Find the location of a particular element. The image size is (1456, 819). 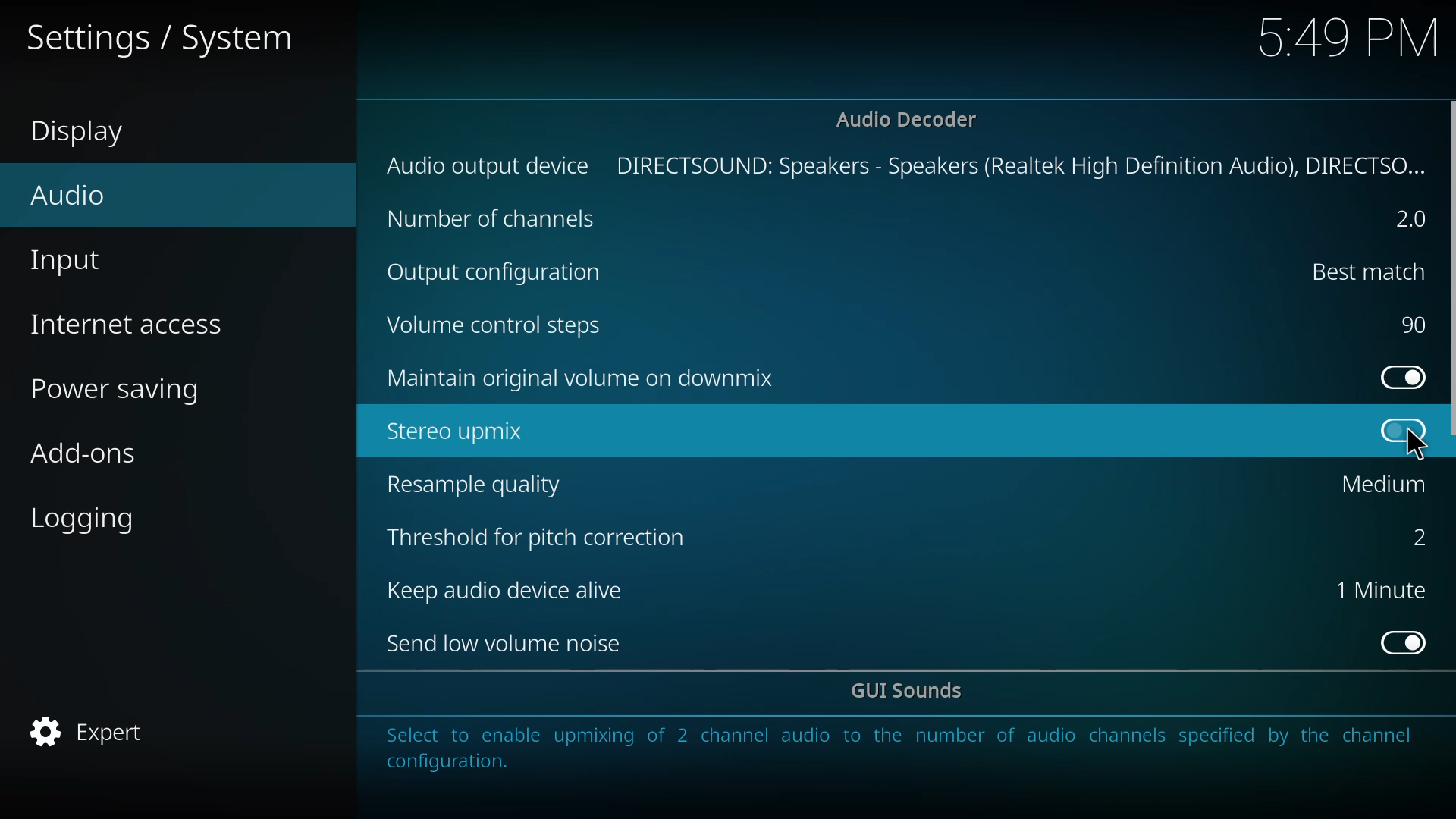

add-ons is located at coordinates (87, 454).